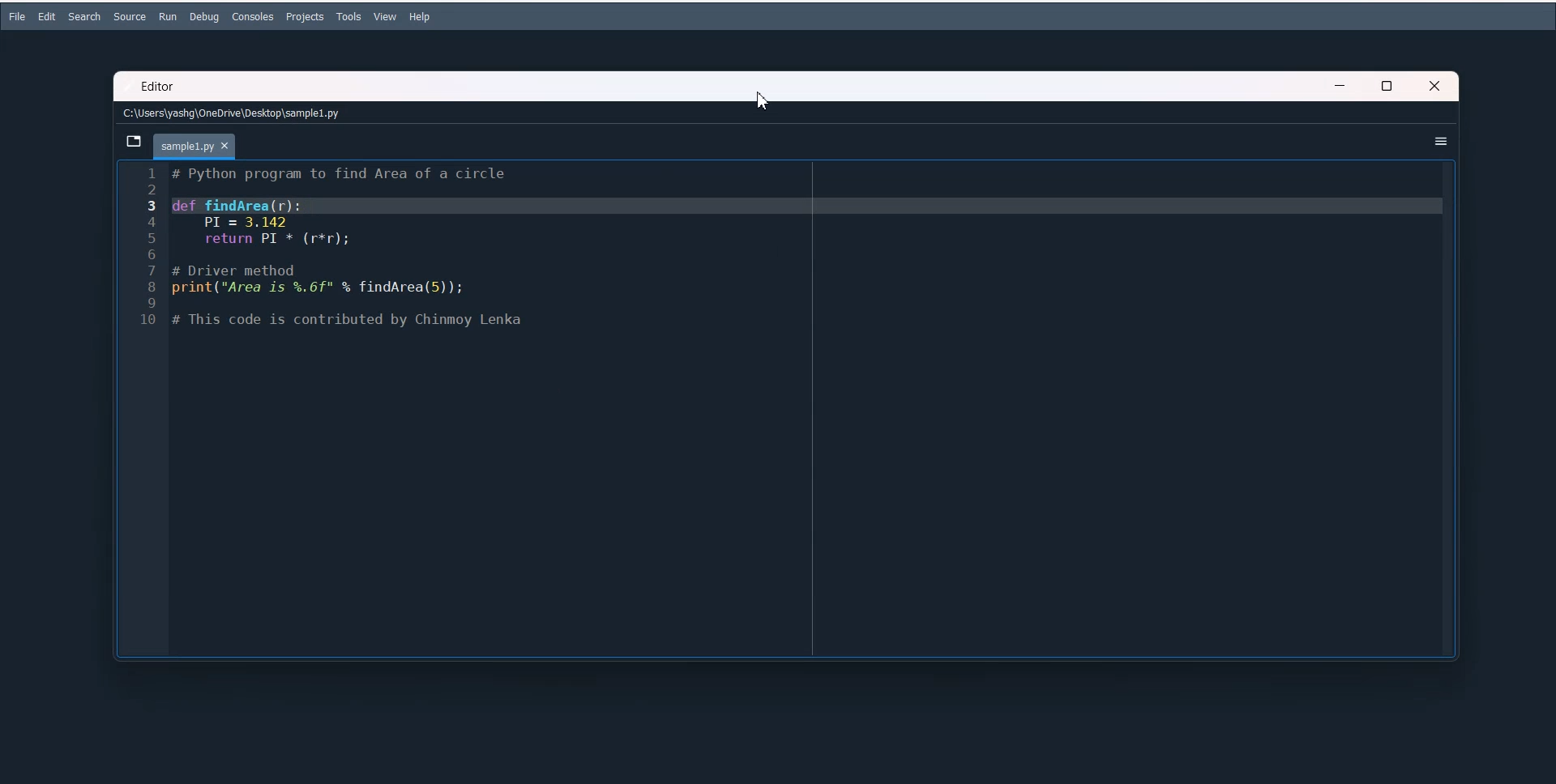  Describe the element at coordinates (386, 16) in the screenshot. I see `View` at that location.